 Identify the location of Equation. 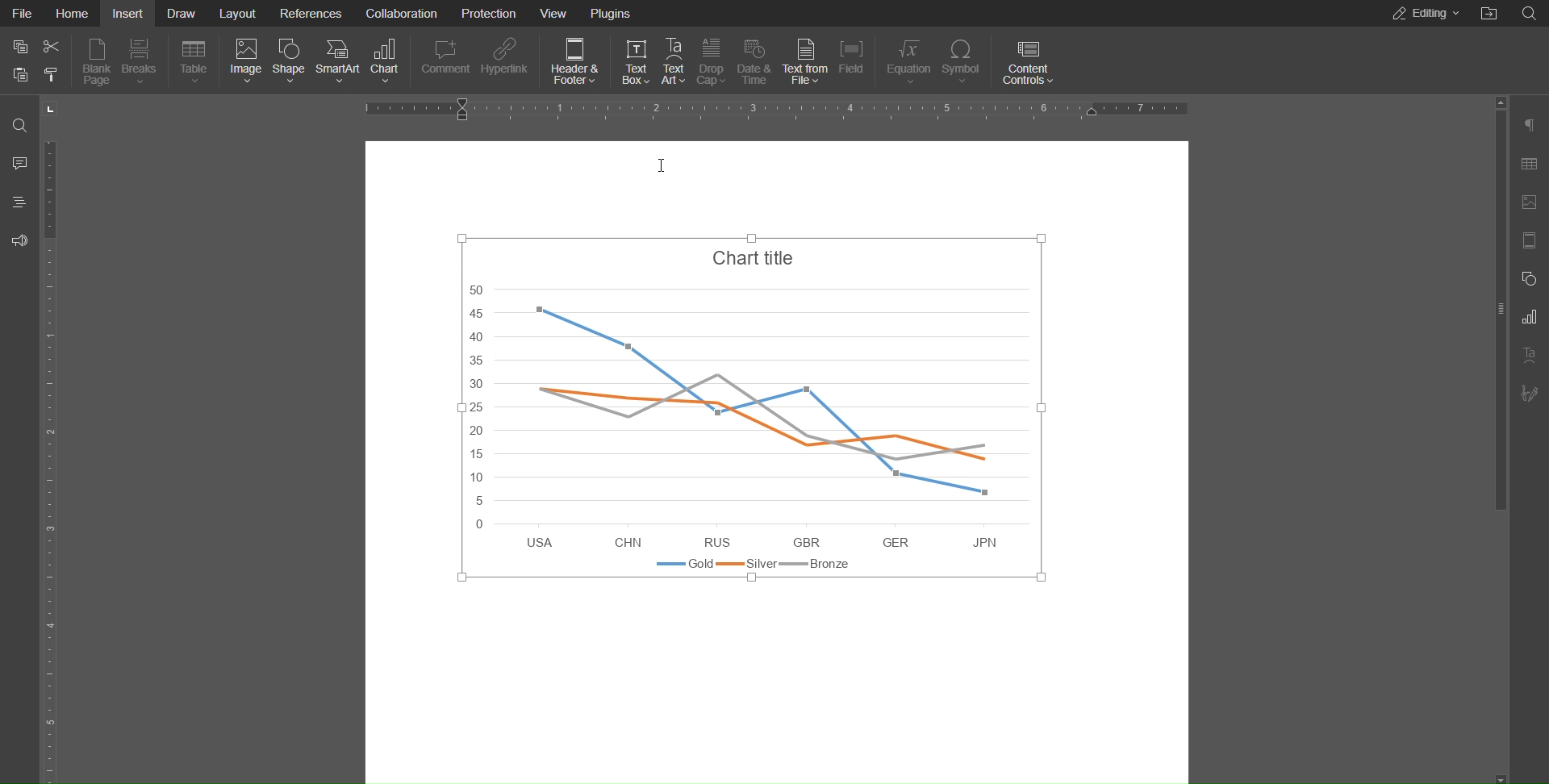
(907, 60).